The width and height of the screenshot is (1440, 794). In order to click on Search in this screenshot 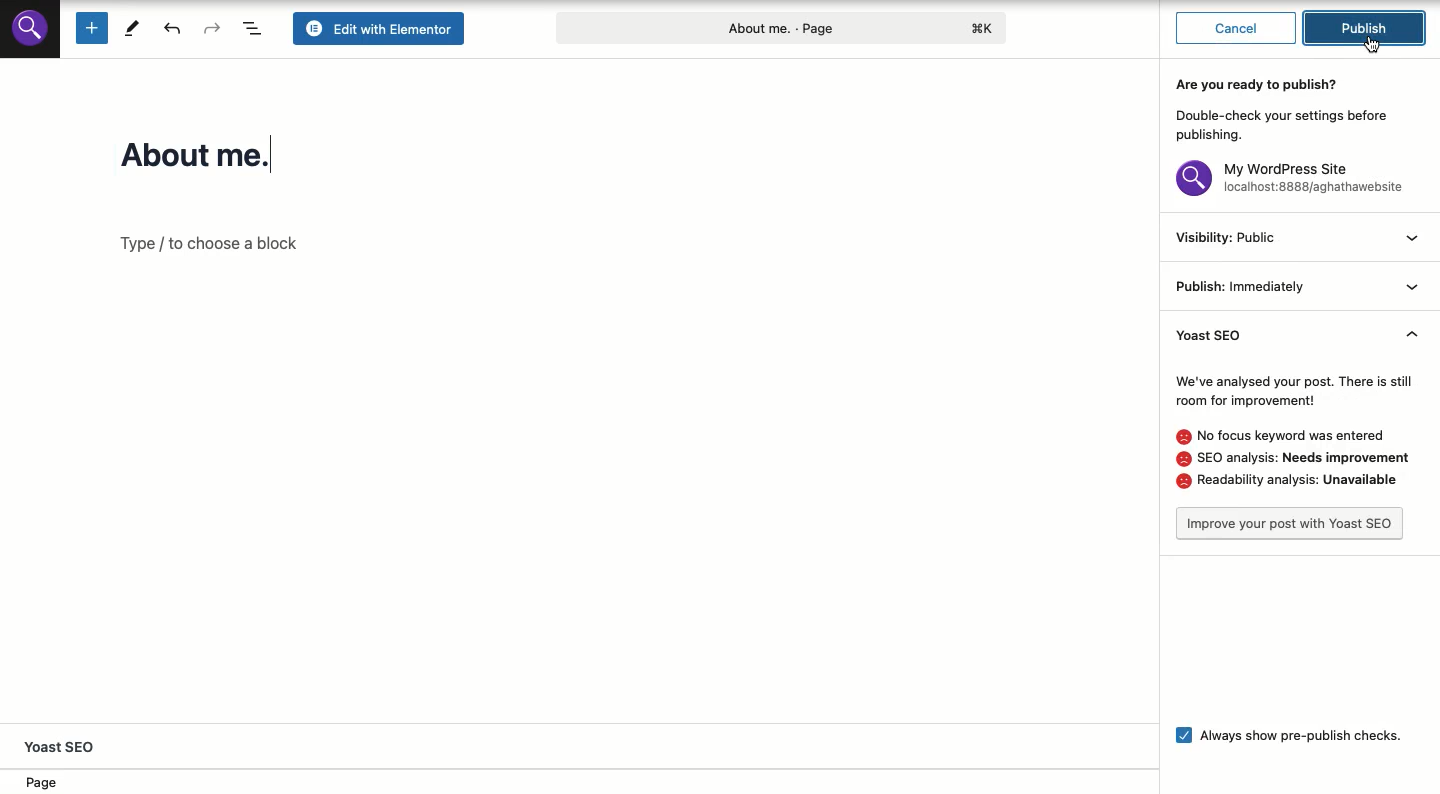, I will do `click(30, 27)`.